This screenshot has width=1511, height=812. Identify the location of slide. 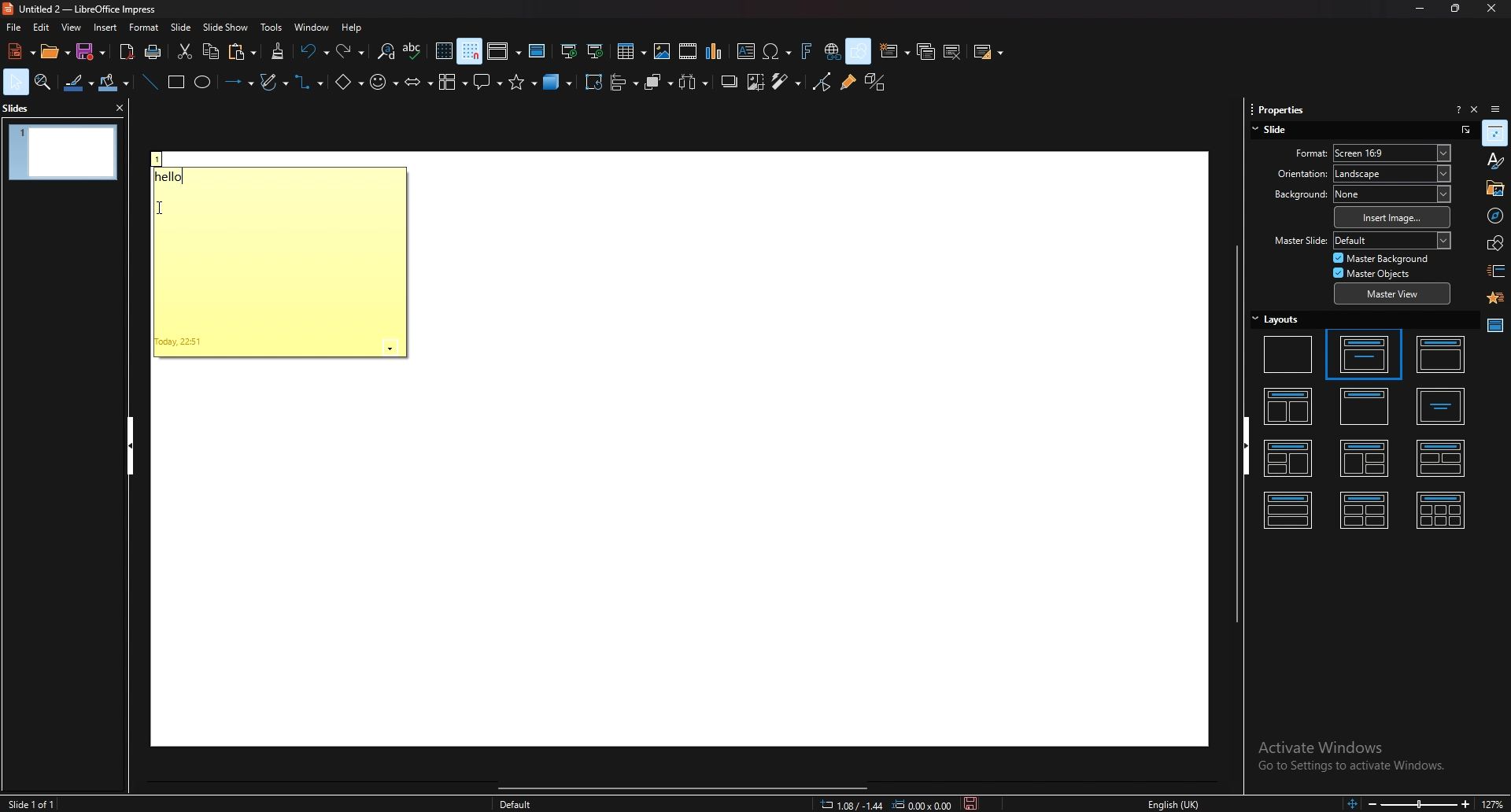
(1274, 131).